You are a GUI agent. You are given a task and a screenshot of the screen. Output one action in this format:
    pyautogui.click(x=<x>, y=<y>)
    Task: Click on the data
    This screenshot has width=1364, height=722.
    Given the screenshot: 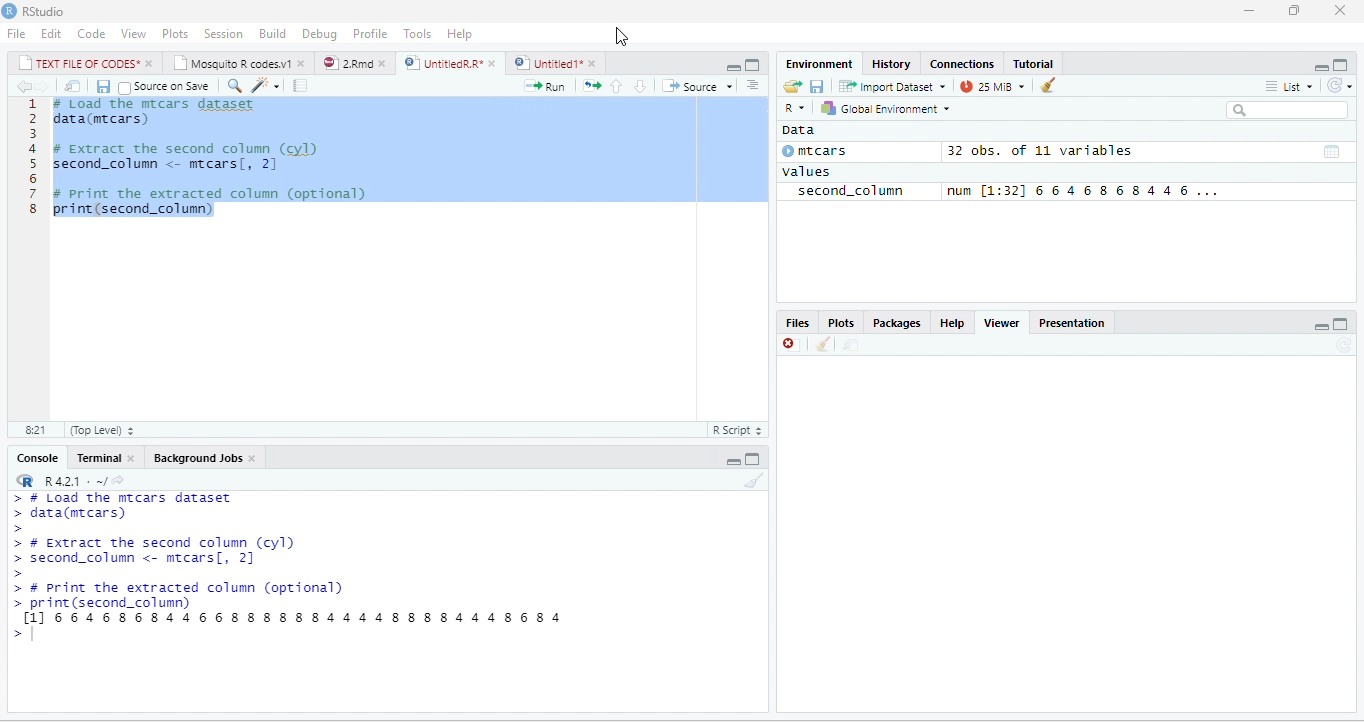 What is the action you would take?
    pyautogui.click(x=798, y=130)
    